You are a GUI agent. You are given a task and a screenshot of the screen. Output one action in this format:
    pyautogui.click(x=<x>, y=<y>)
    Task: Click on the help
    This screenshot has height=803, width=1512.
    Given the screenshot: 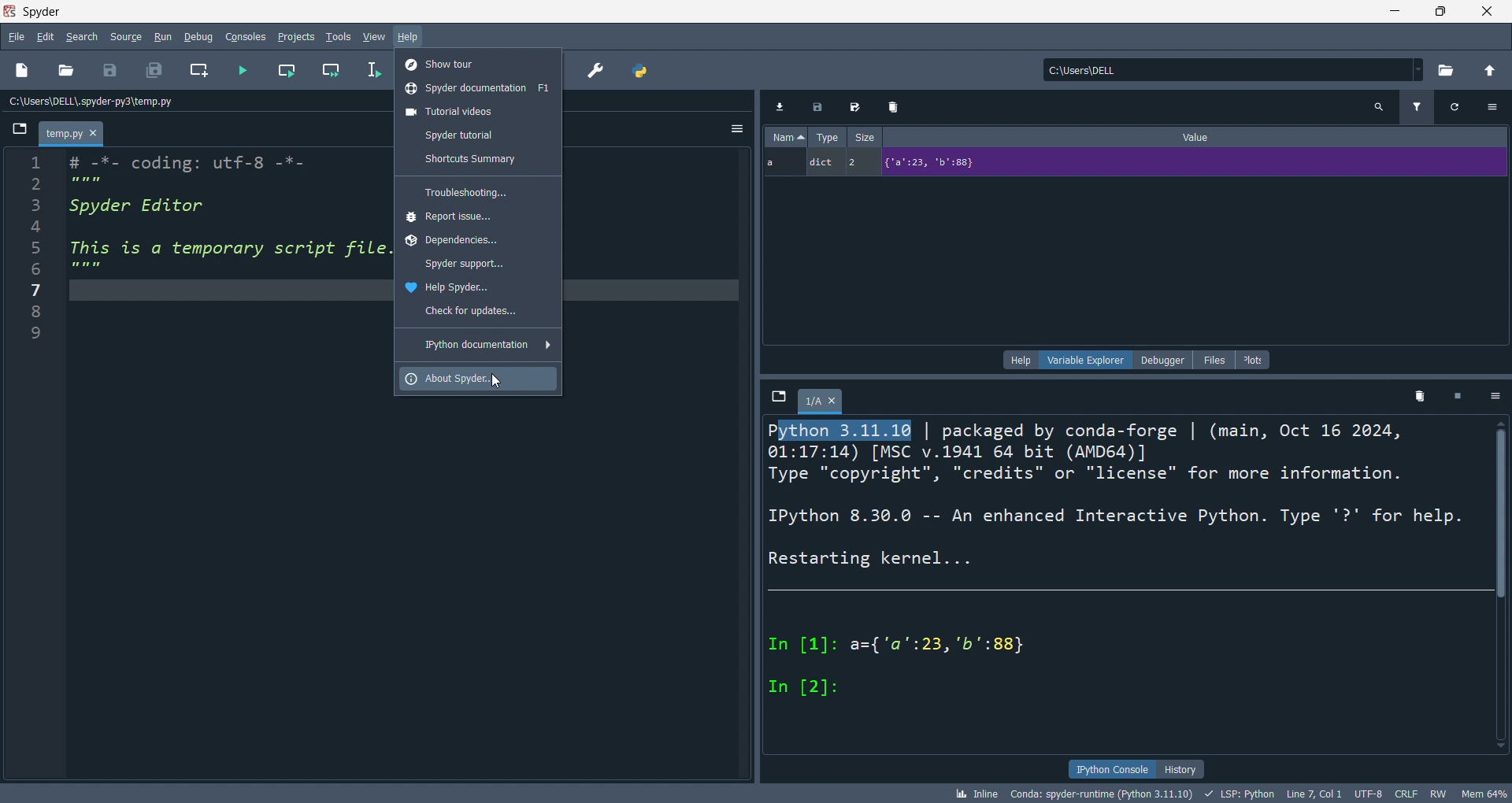 What is the action you would take?
    pyautogui.click(x=1021, y=359)
    